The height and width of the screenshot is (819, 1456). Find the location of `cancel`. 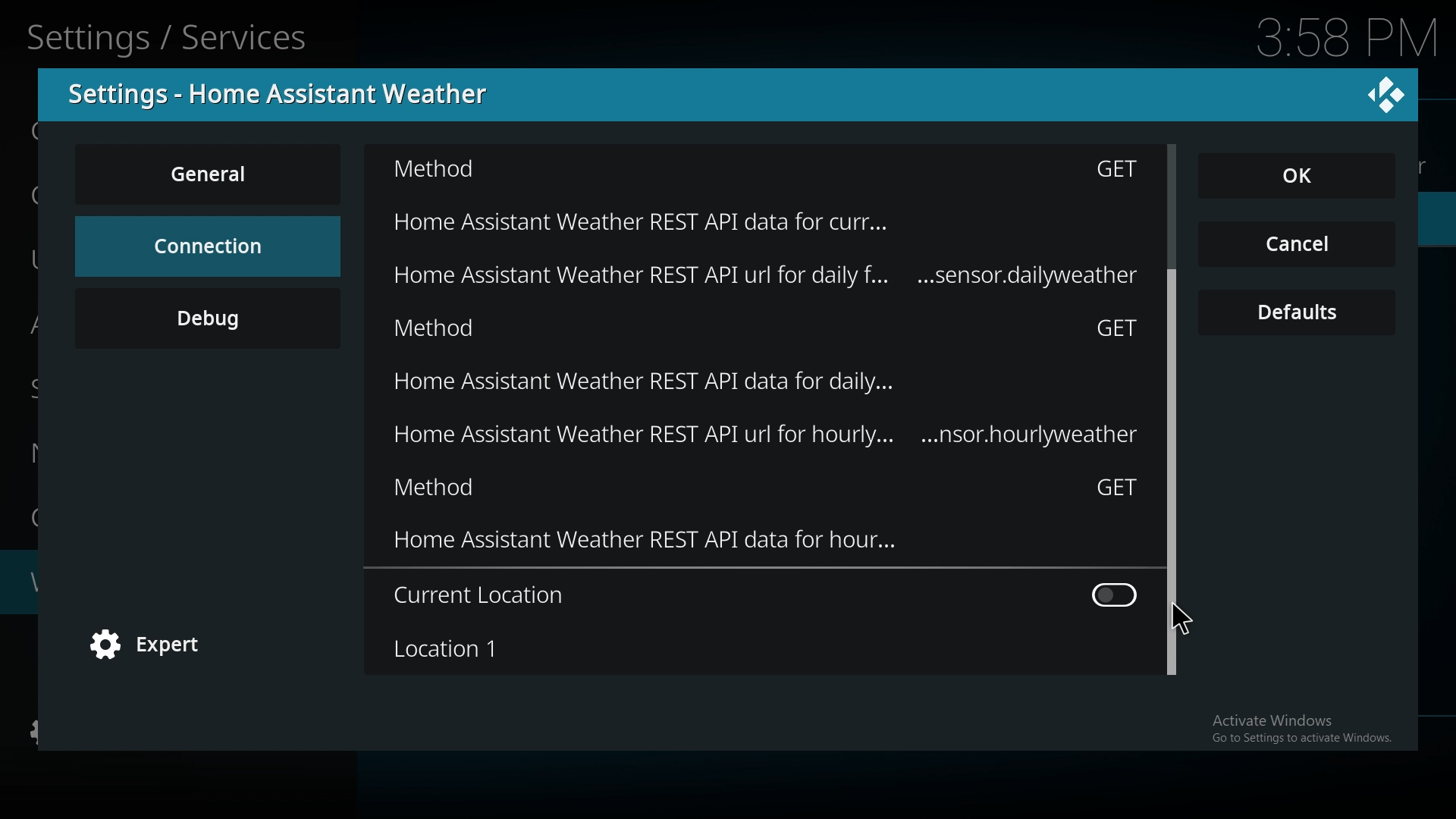

cancel is located at coordinates (1297, 246).